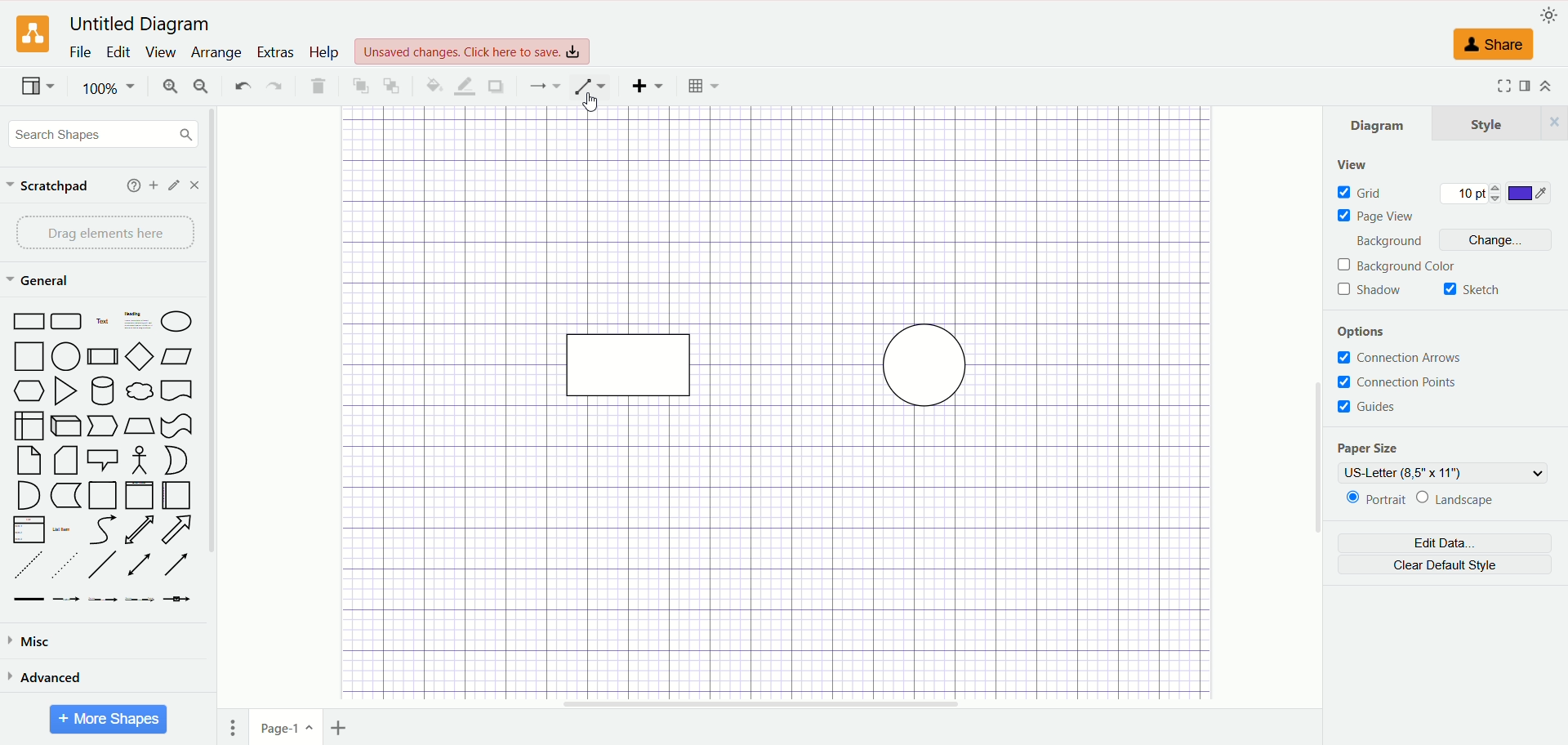  Describe the element at coordinates (1398, 265) in the screenshot. I see `background color` at that location.